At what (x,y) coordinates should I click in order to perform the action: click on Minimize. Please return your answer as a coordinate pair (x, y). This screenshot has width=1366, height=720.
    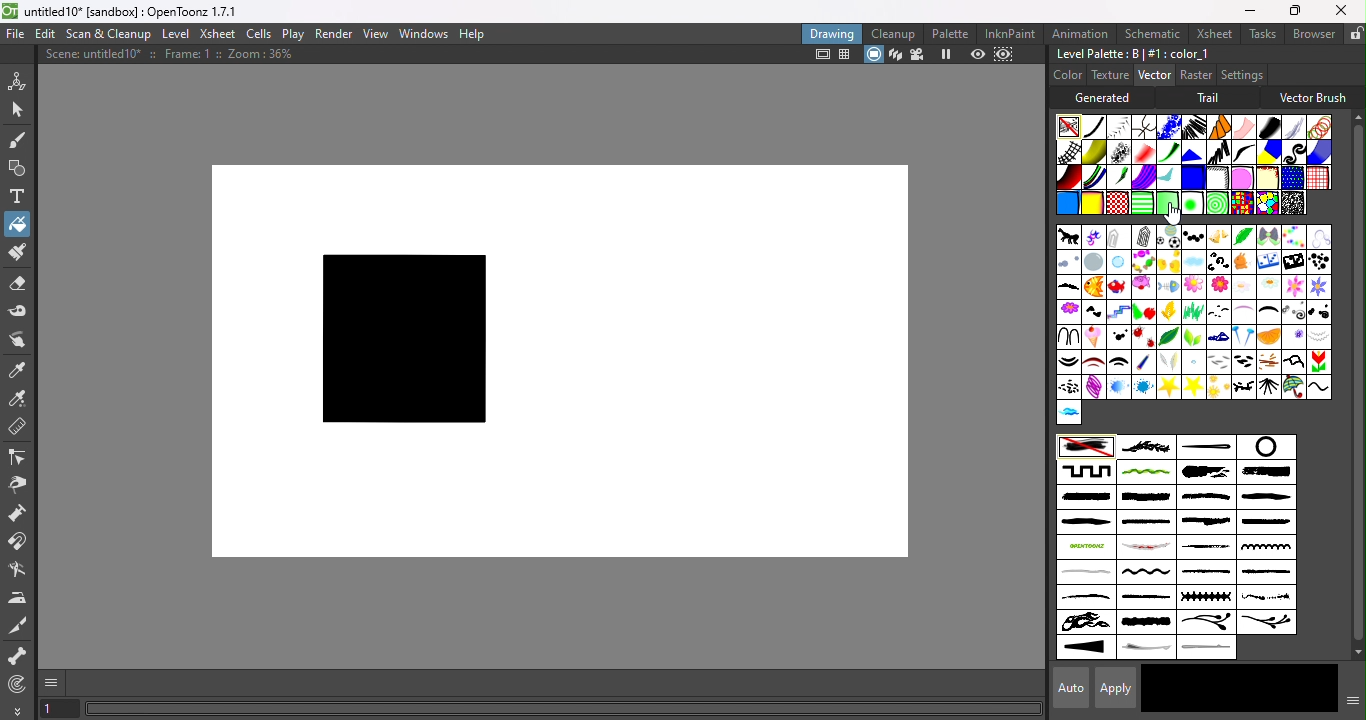
    Looking at the image, I should click on (1250, 10).